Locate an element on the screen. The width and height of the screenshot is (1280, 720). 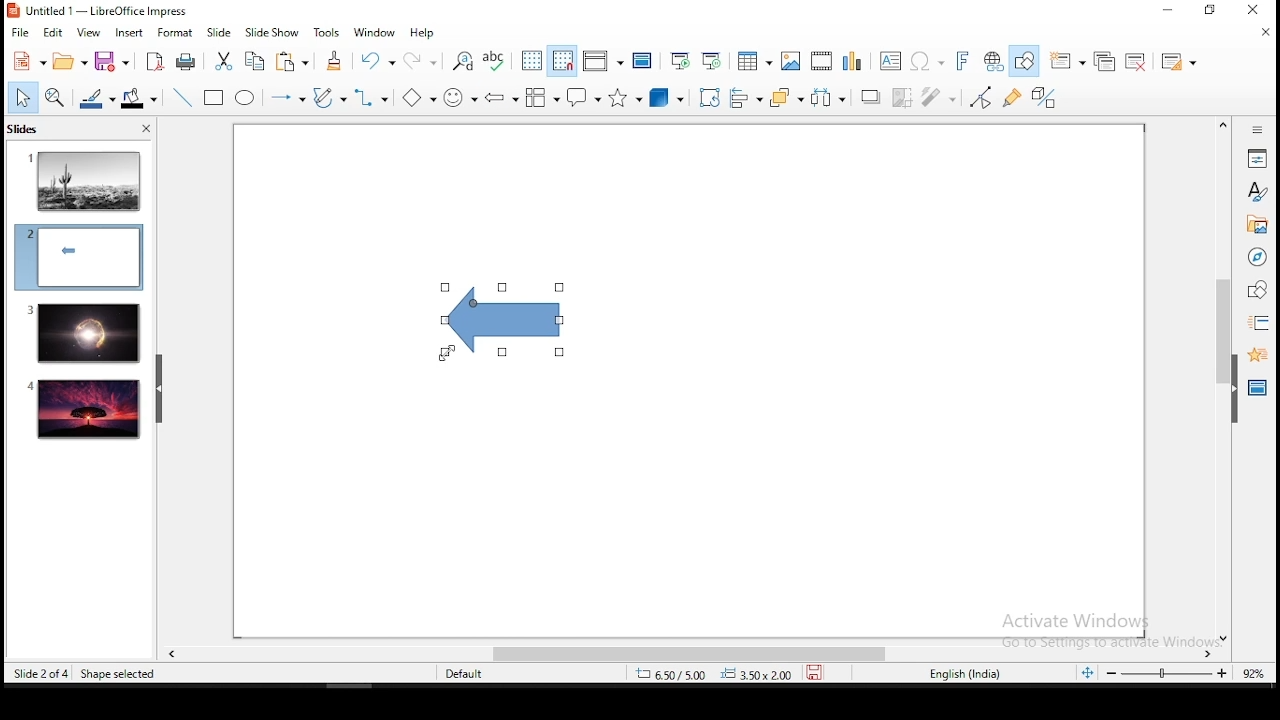
toggle extrusiuon is located at coordinates (1046, 97).